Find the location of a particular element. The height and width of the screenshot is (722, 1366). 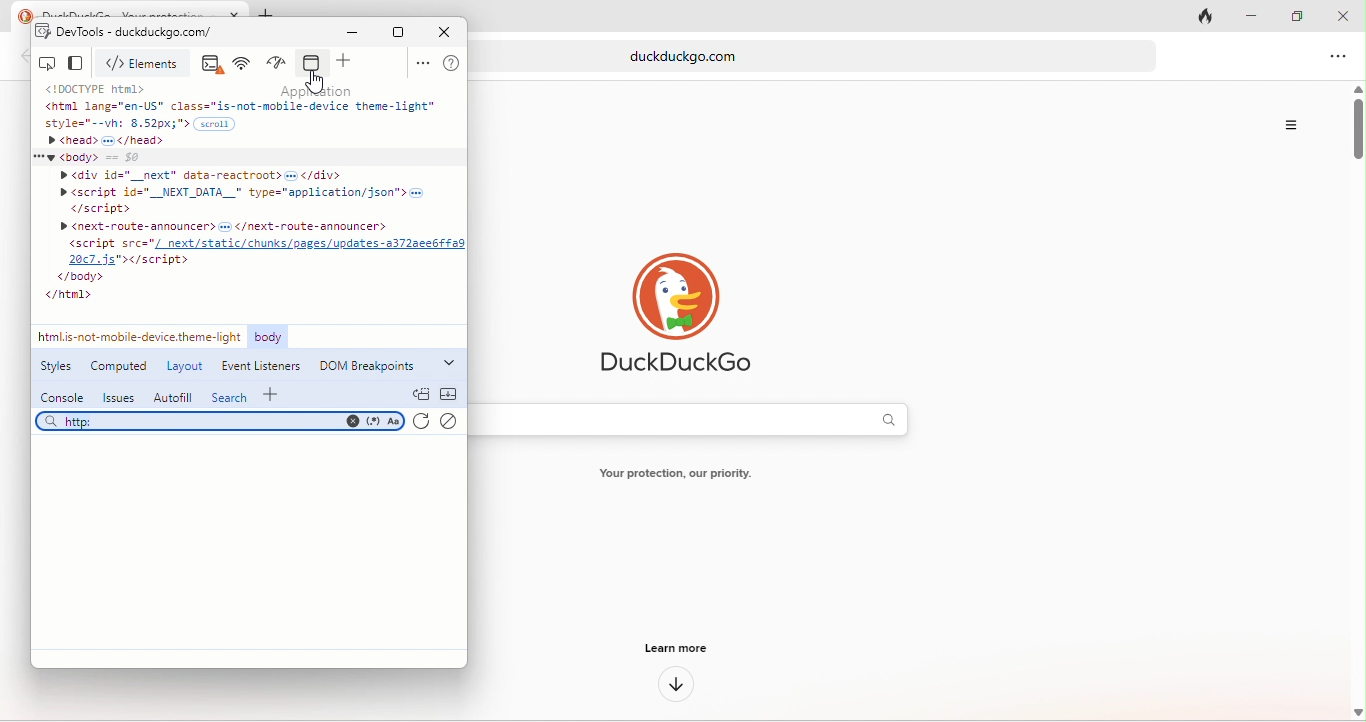

option is located at coordinates (419, 65).